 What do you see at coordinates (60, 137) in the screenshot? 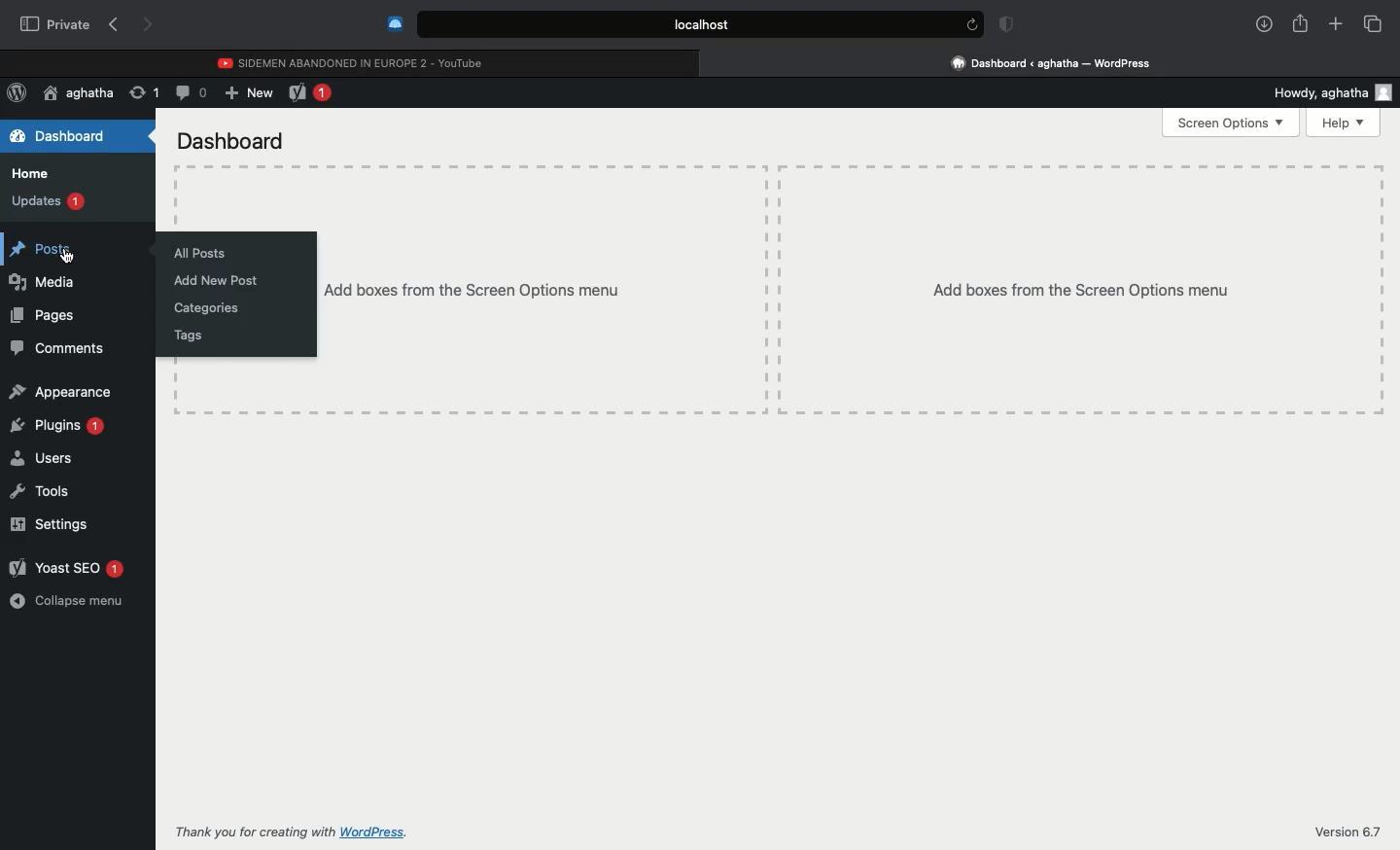
I see `Dashboard` at bounding box center [60, 137].